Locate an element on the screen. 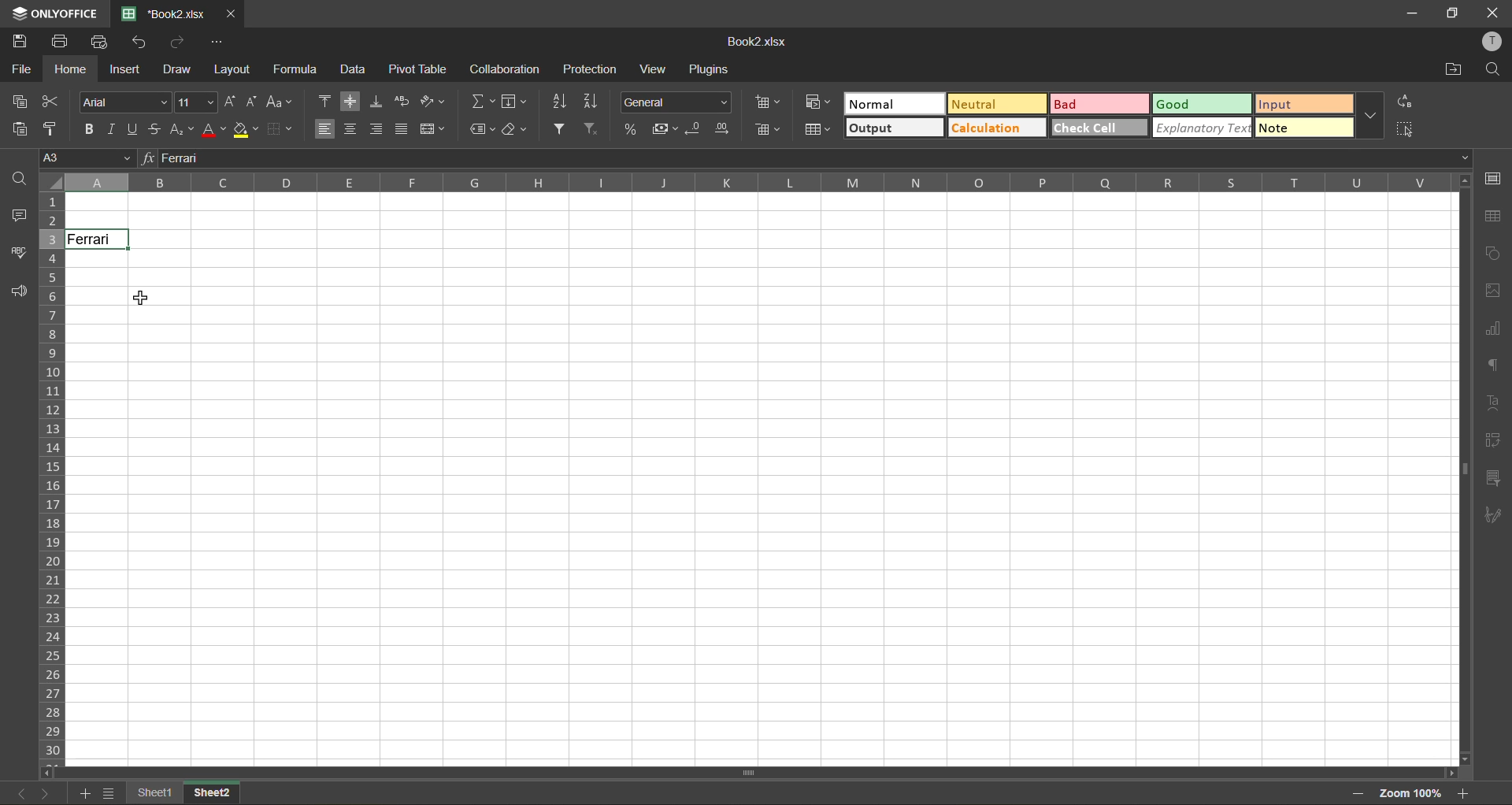 The width and height of the screenshot is (1512, 805). good is located at coordinates (1203, 105).